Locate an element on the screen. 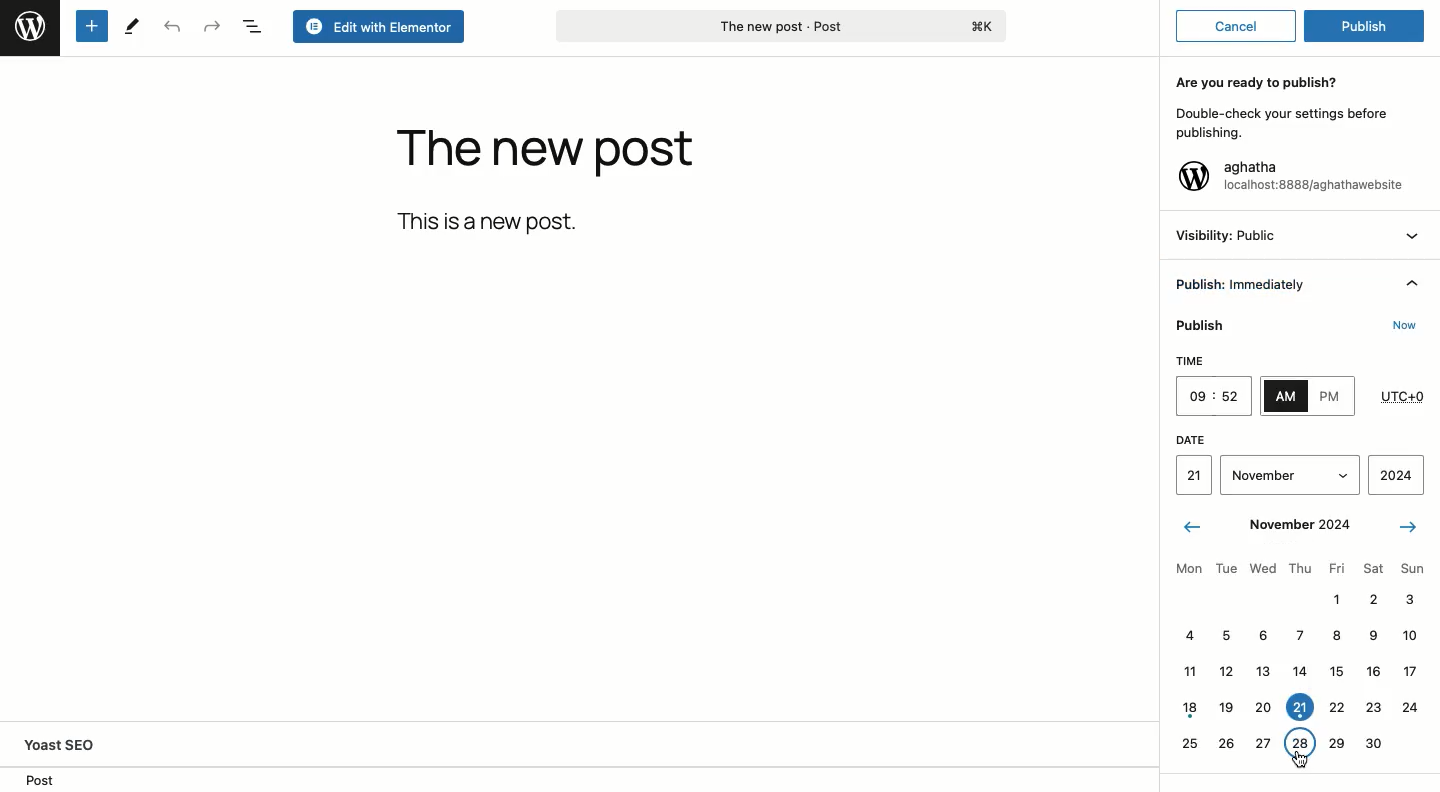 The image size is (1440, 792). 27 is located at coordinates (1263, 743).